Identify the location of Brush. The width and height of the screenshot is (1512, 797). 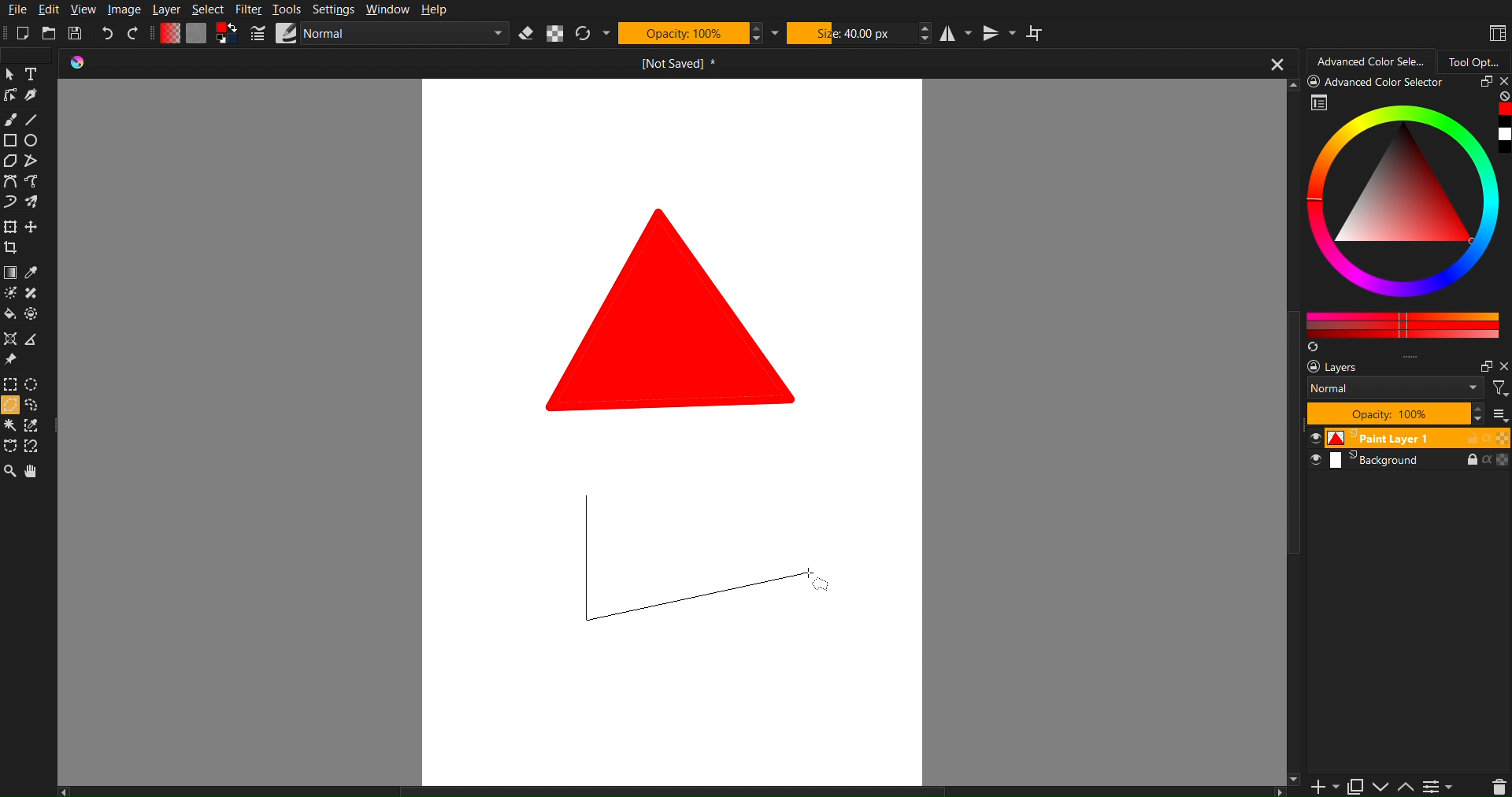
(13, 117).